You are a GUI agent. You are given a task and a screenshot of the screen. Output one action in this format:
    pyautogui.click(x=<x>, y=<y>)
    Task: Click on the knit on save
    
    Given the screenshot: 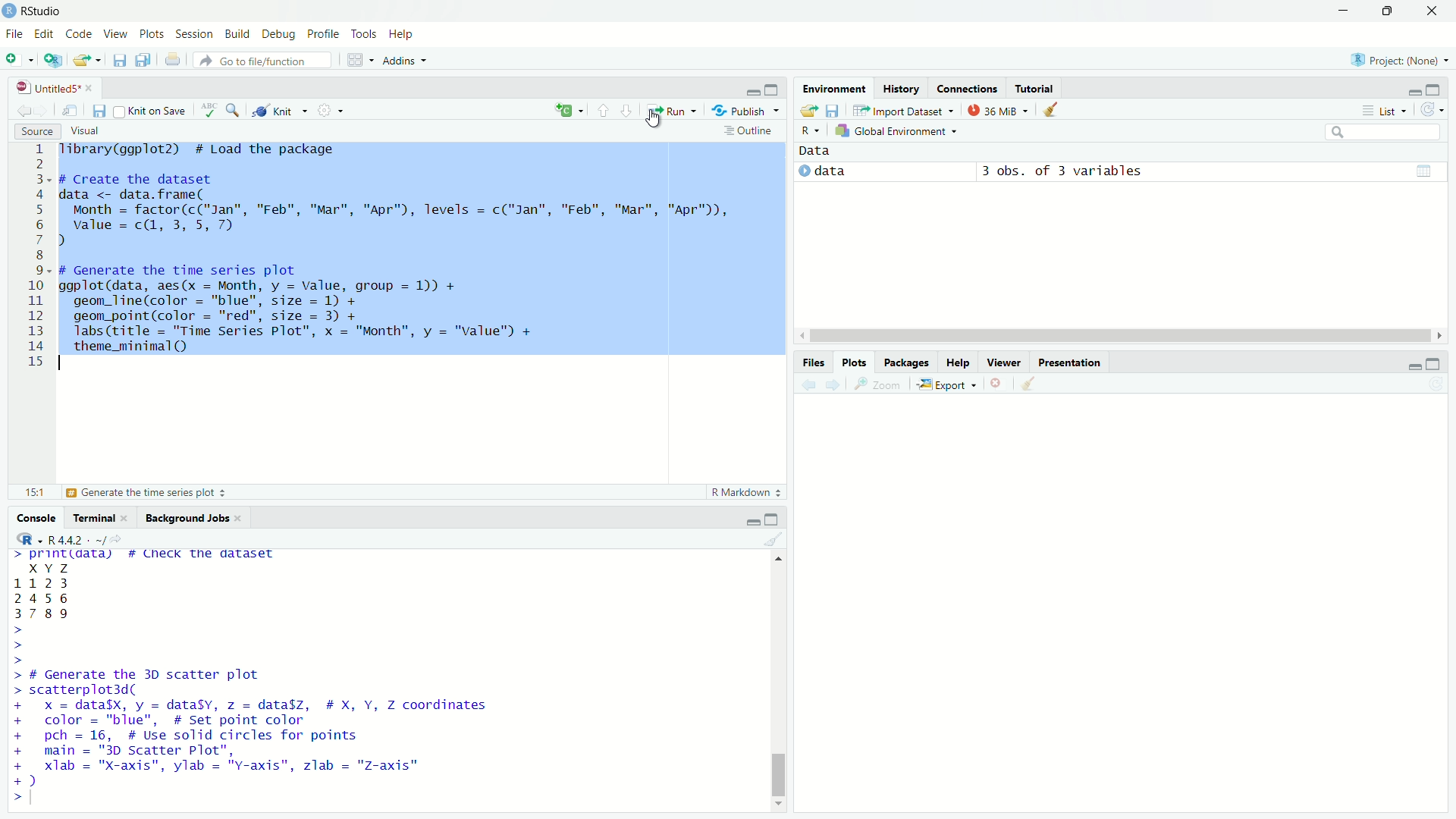 What is the action you would take?
    pyautogui.click(x=150, y=111)
    